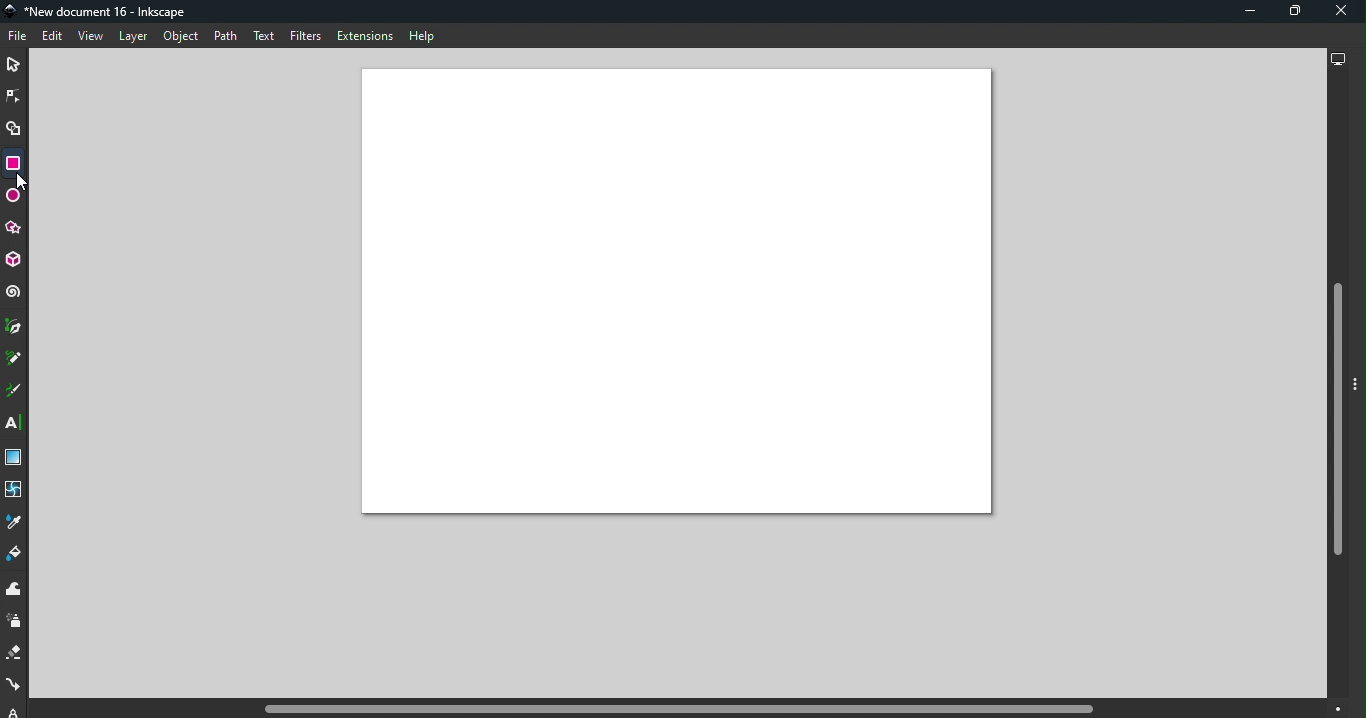 This screenshot has height=718, width=1366. What do you see at coordinates (1247, 11) in the screenshot?
I see `Minimize` at bounding box center [1247, 11].